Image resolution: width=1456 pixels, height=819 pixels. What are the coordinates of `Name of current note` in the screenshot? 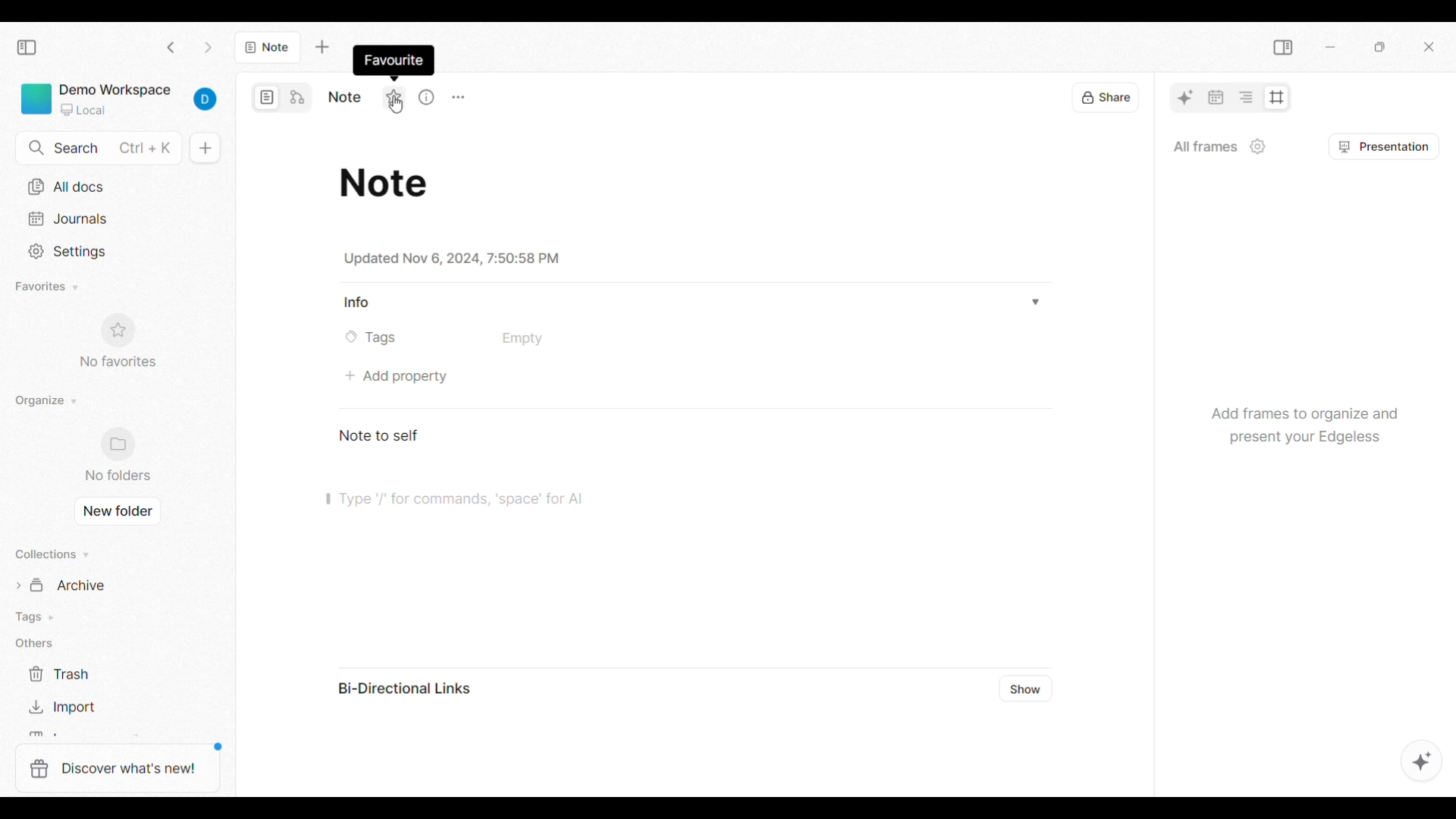 It's located at (345, 97).